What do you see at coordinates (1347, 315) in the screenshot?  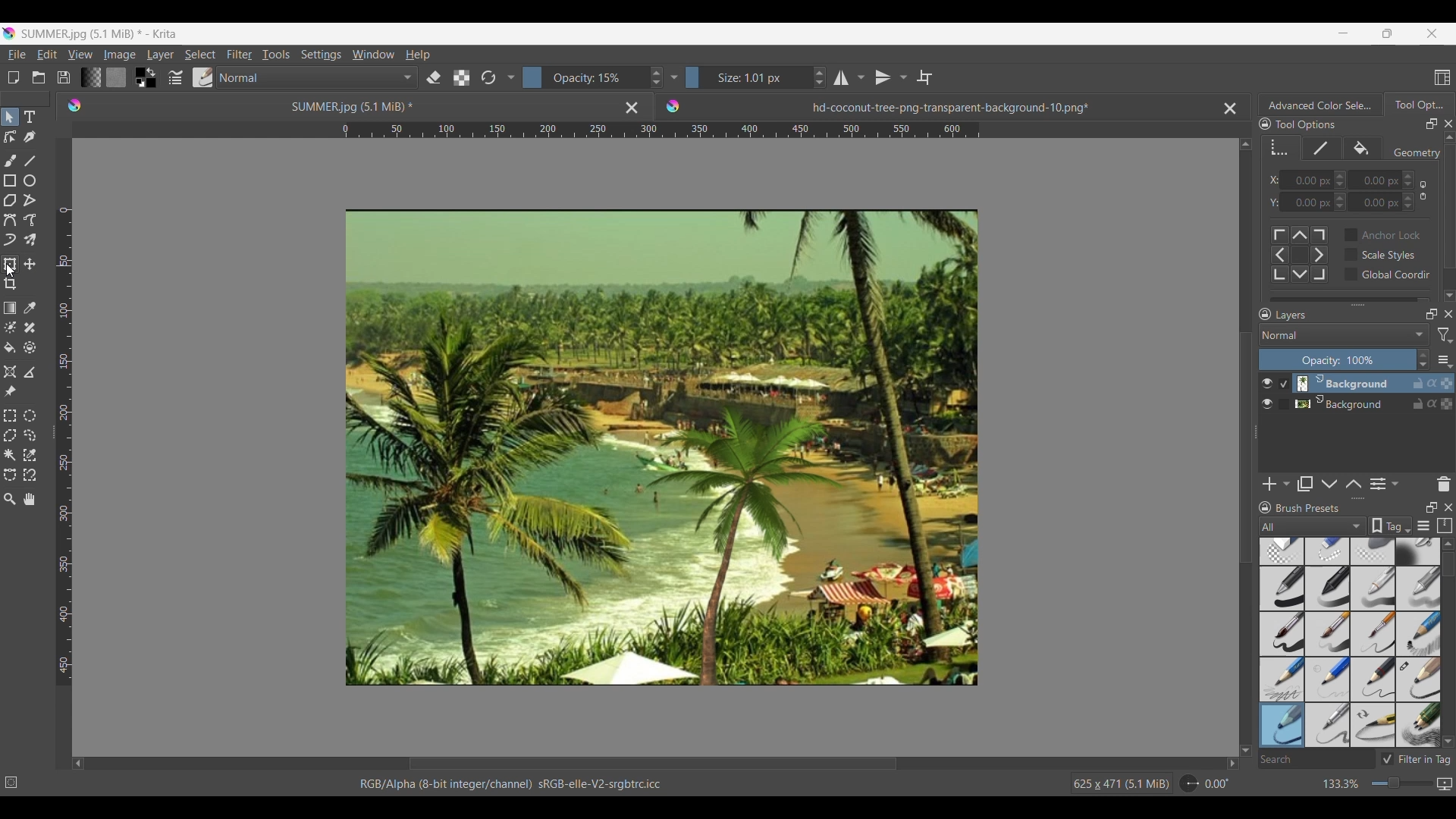 I see `Layers` at bounding box center [1347, 315].